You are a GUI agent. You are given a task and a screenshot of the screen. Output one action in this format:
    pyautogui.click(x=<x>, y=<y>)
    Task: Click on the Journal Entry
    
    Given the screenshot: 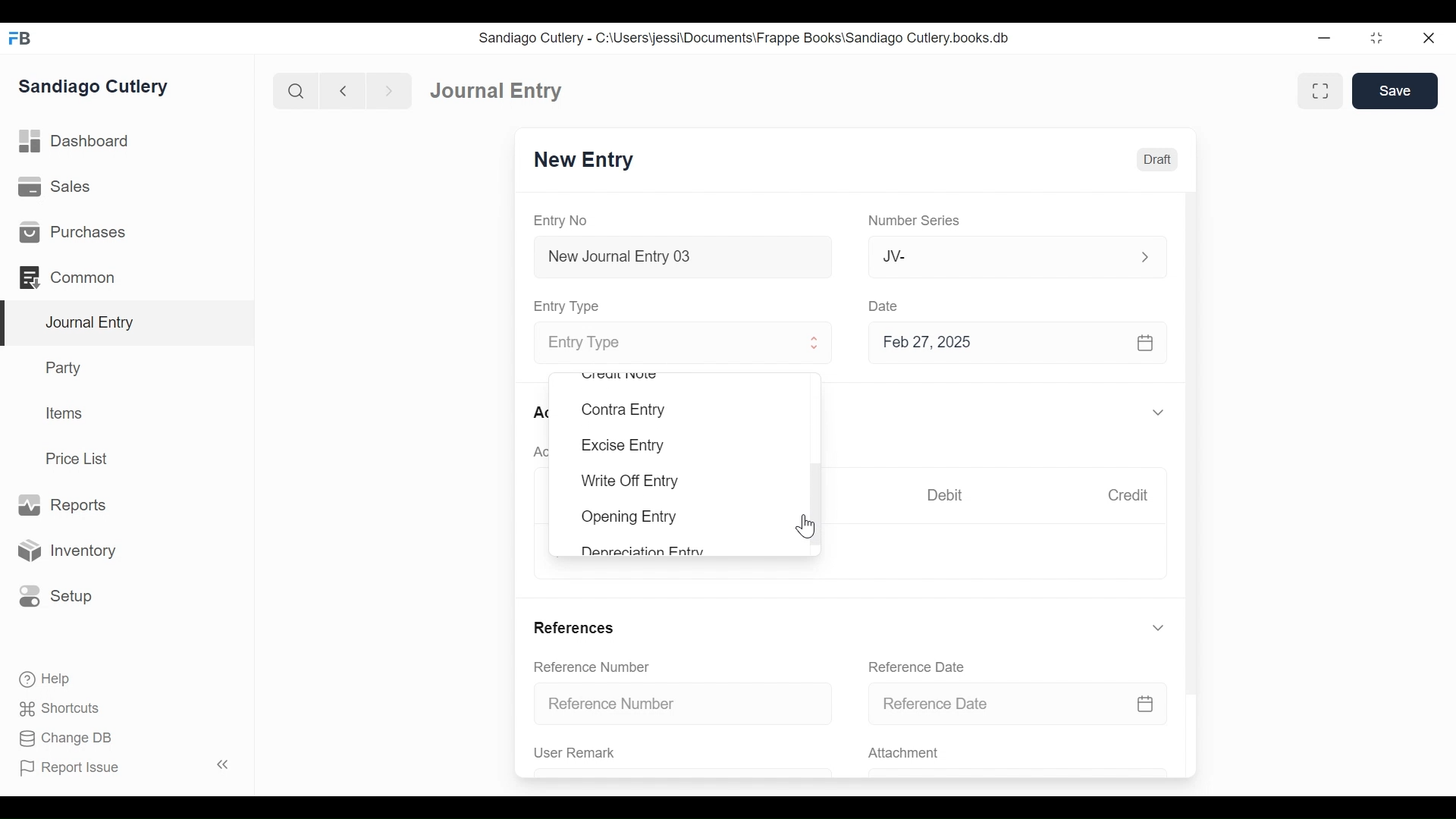 What is the action you would take?
    pyautogui.click(x=124, y=324)
    